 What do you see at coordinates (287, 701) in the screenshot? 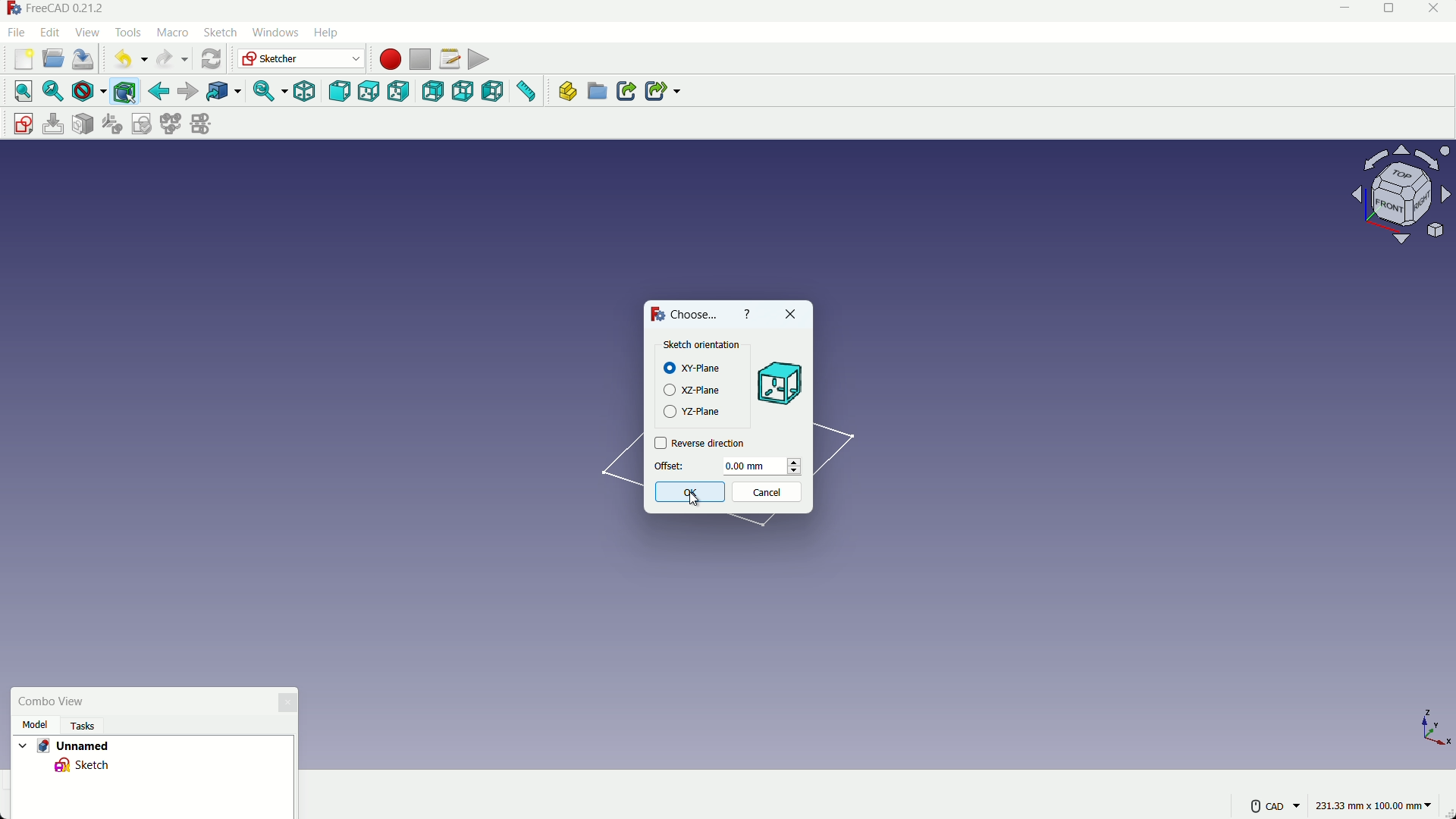
I see `close` at bounding box center [287, 701].